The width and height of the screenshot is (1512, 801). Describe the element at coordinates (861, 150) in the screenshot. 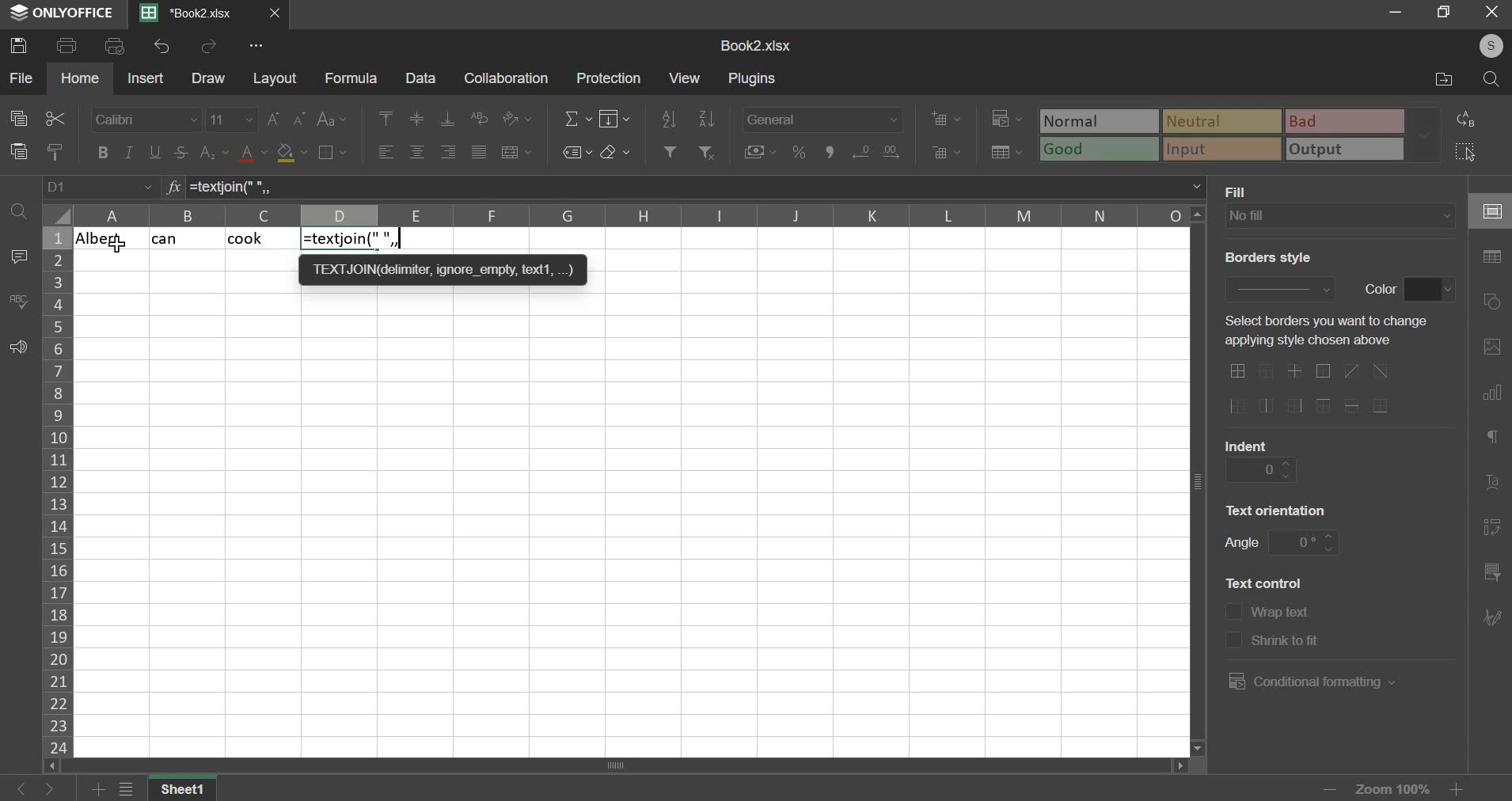

I see `increase decimals` at that location.